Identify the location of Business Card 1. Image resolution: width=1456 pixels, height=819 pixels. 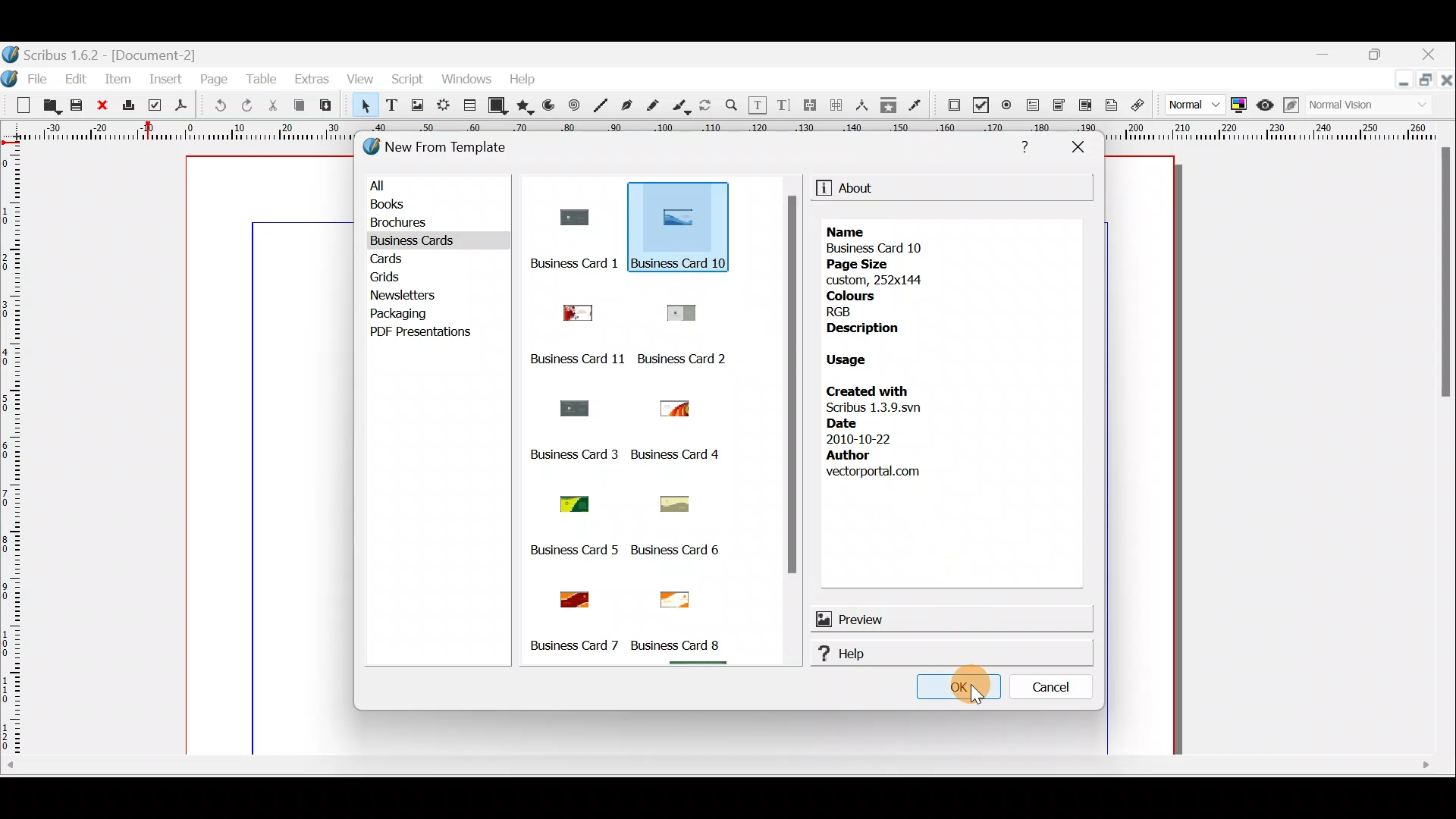
(554, 263).